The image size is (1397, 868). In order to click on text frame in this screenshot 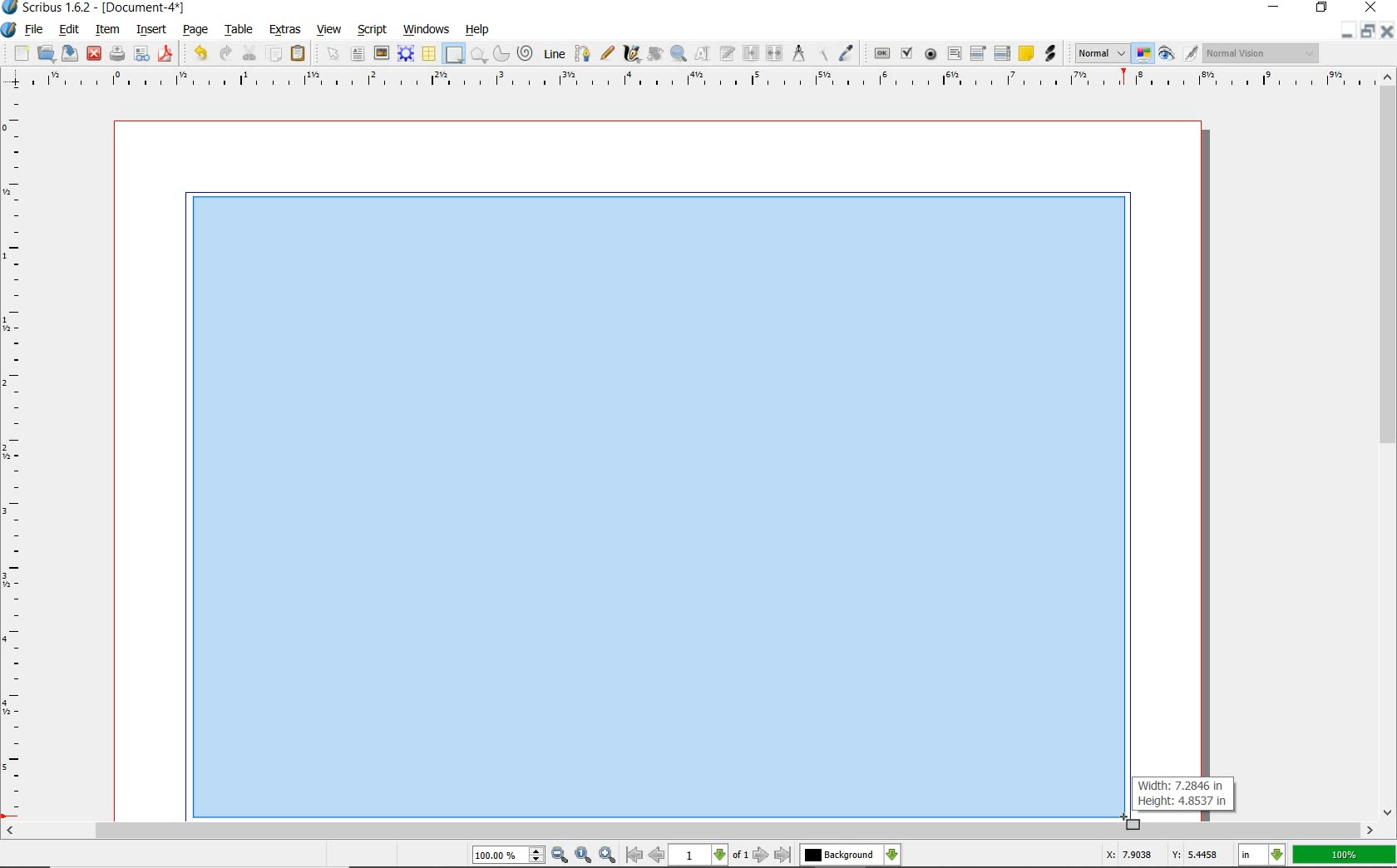, I will do `click(358, 56)`.